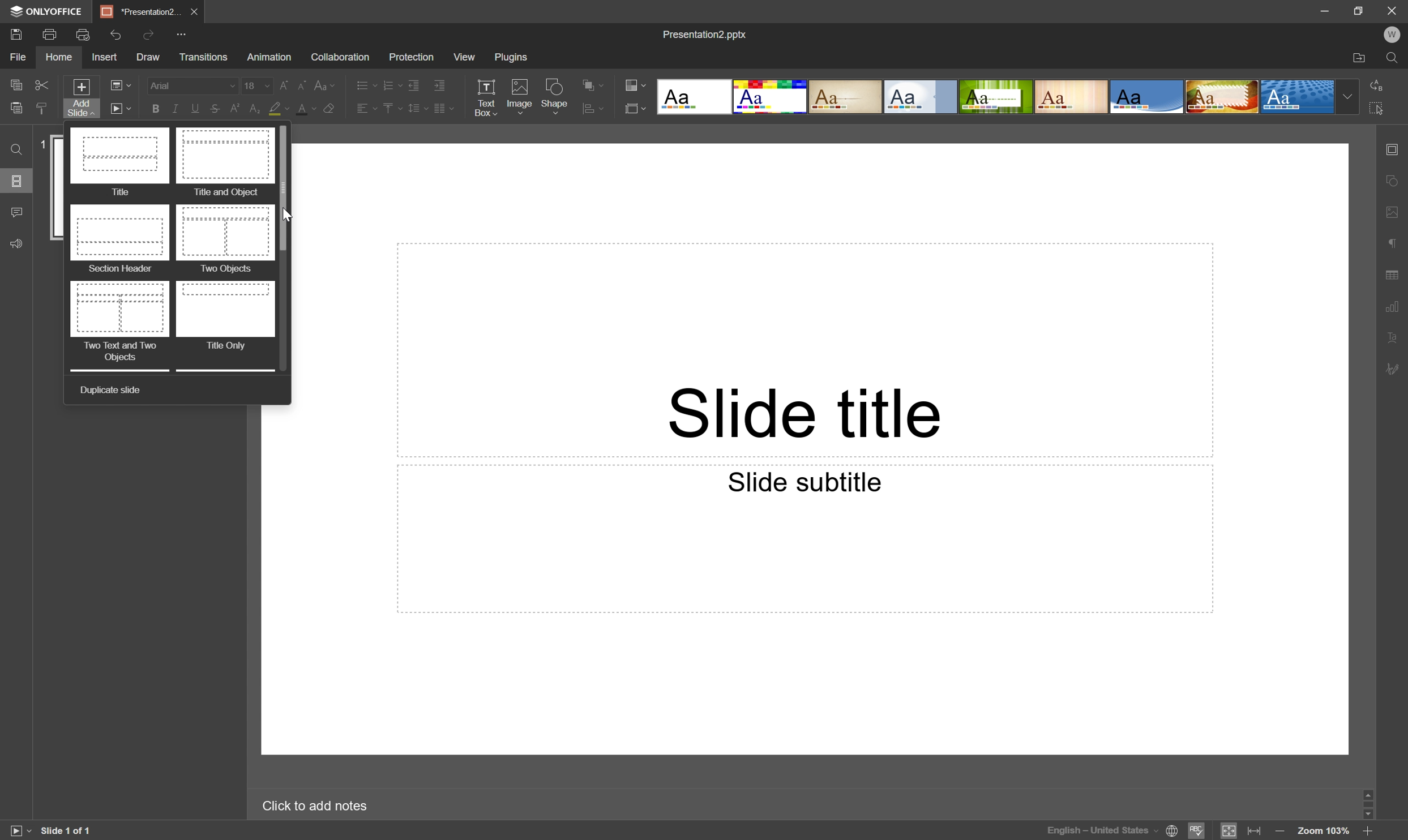  I want to click on Zoom in, so click(1368, 830).